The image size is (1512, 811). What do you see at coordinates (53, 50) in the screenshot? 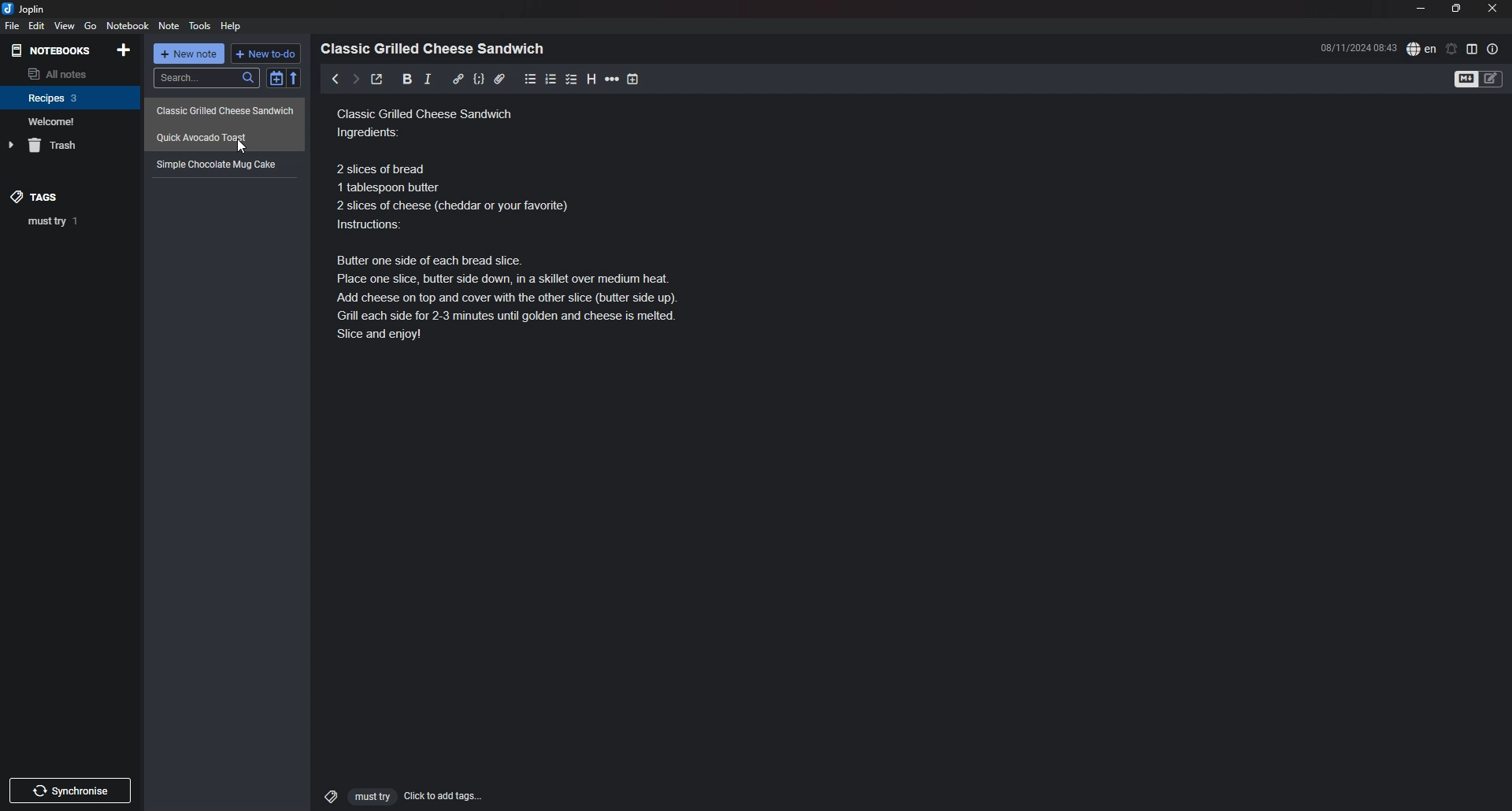
I see `notebooks` at bounding box center [53, 50].